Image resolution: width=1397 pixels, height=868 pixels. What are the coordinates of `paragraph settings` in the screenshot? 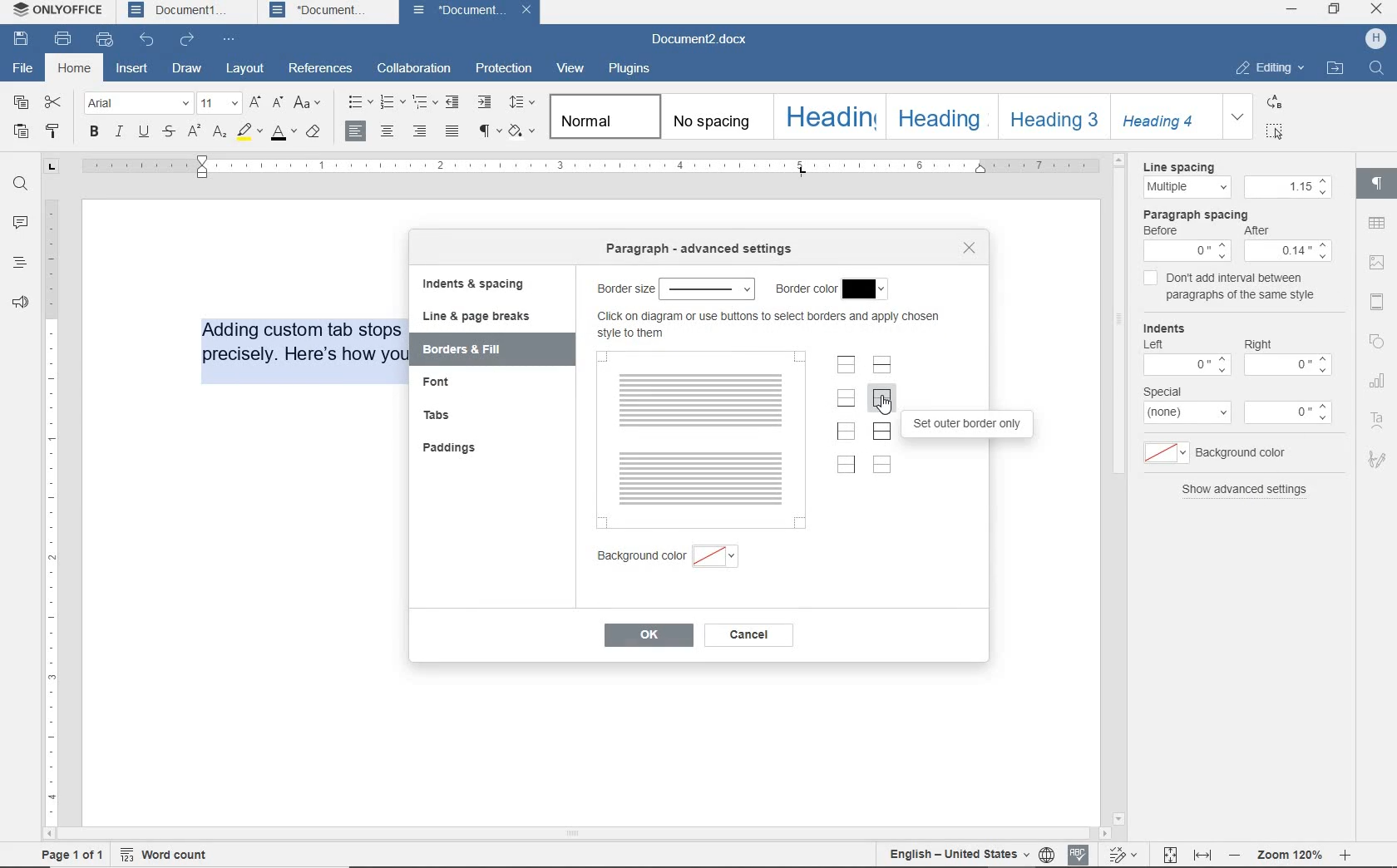 It's located at (1378, 183).